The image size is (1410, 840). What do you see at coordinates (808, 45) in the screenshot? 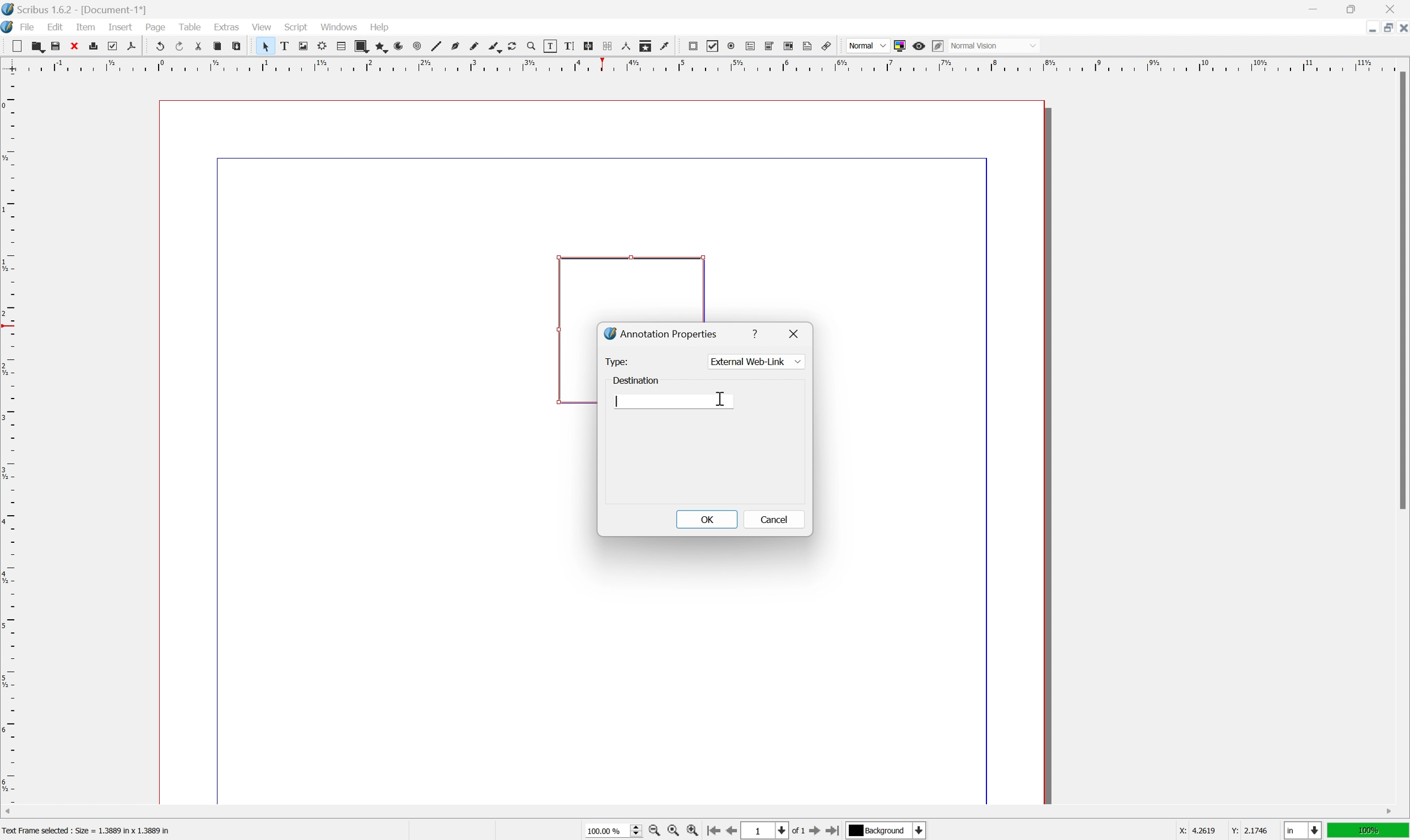
I see `text annotation` at bounding box center [808, 45].